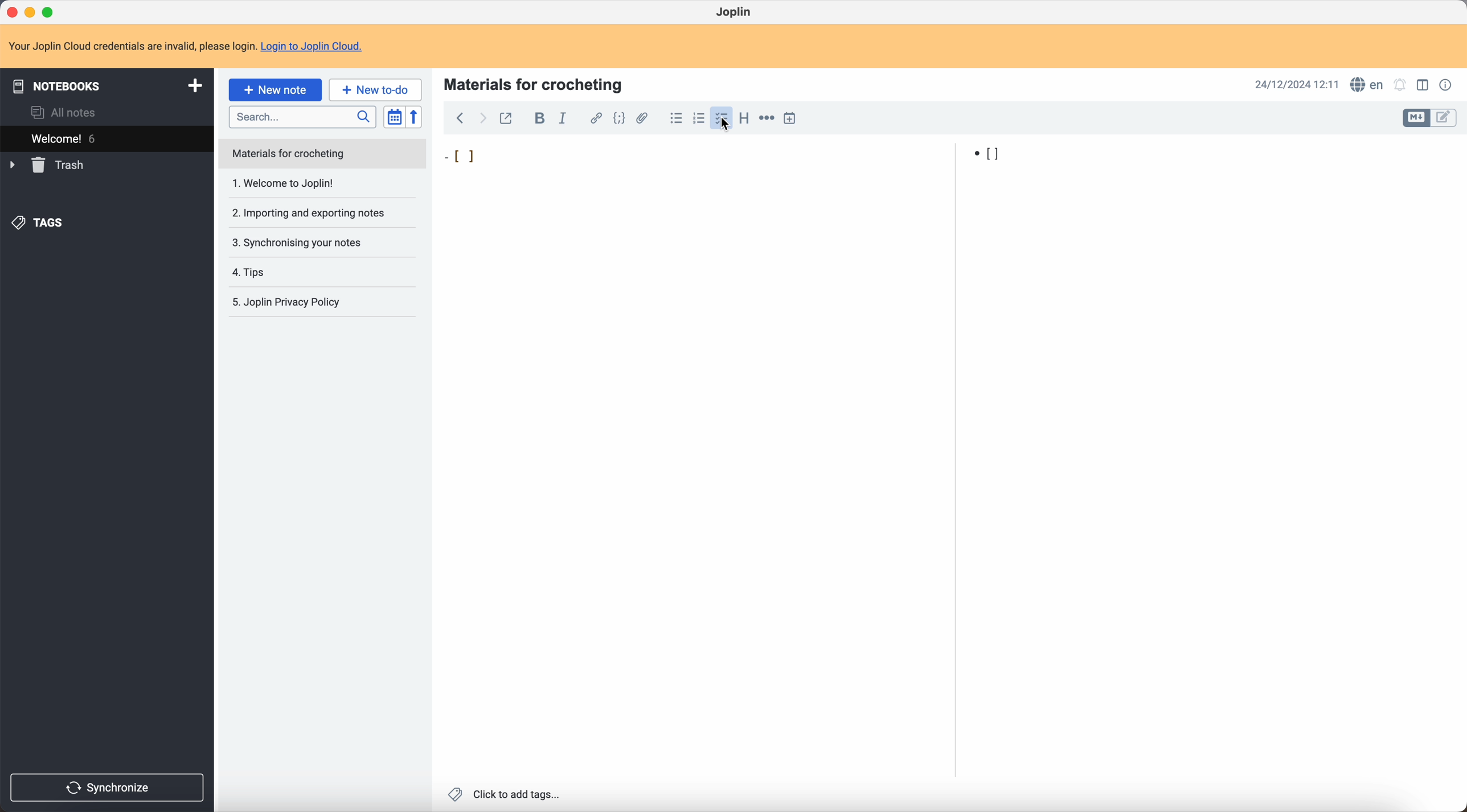  I want to click on hyperlink, so click(593, 118).